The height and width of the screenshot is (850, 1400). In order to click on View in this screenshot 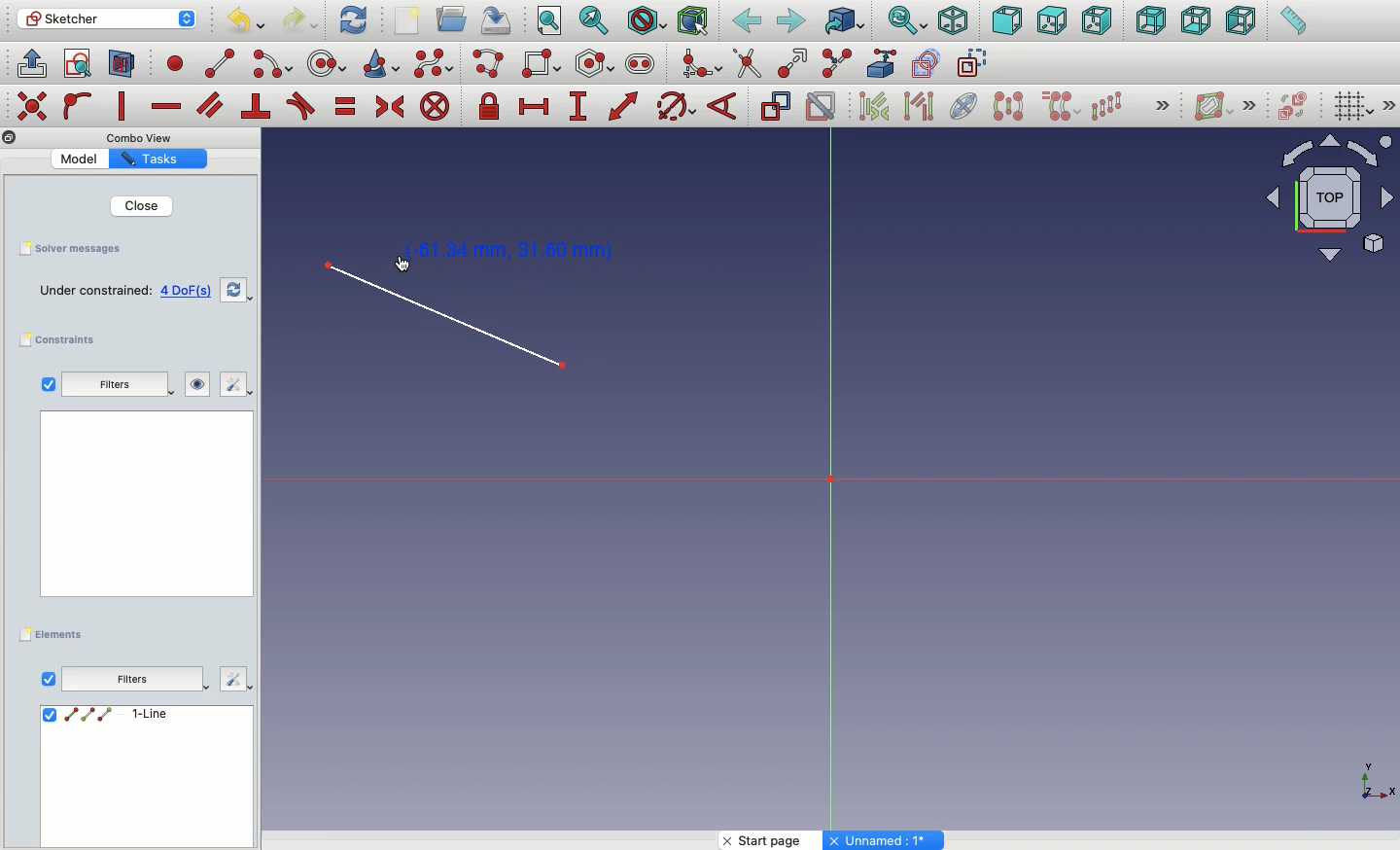, I will do `click(48, 678)`.